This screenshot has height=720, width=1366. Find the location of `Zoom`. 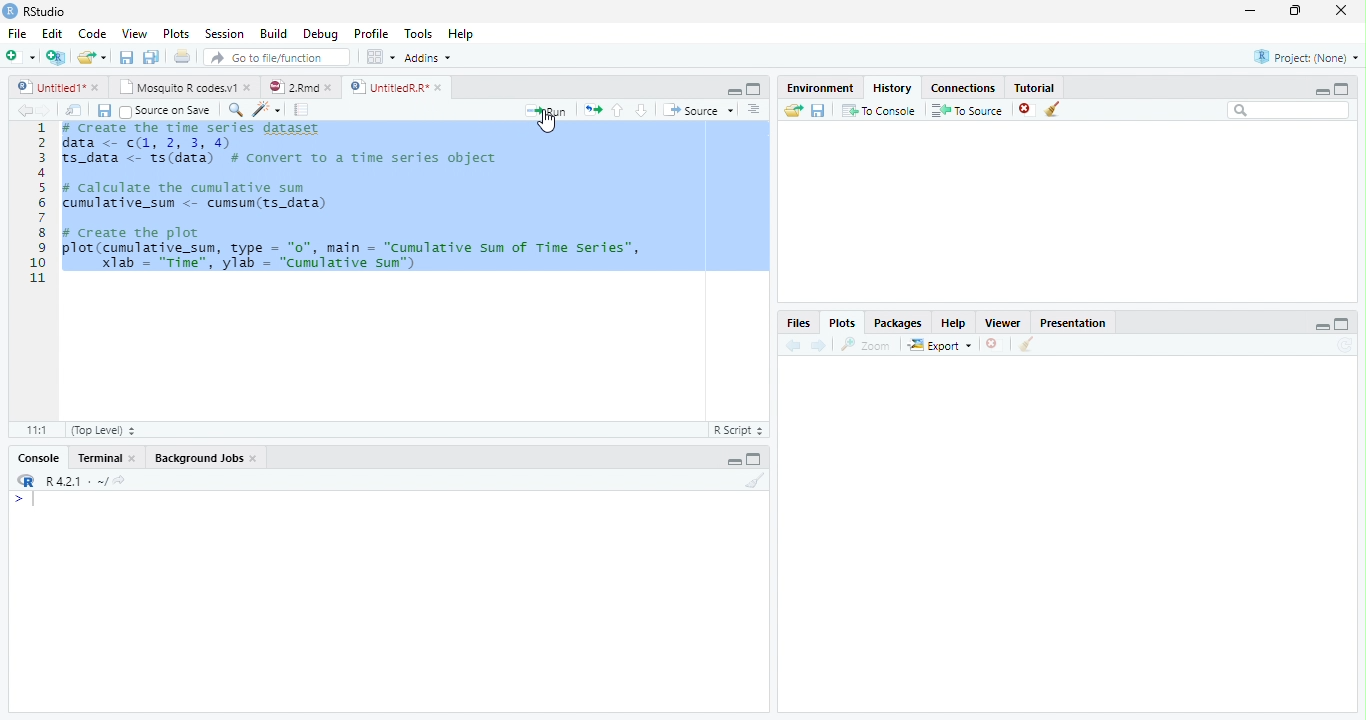

Zoom is located at coordinates (866, 345).